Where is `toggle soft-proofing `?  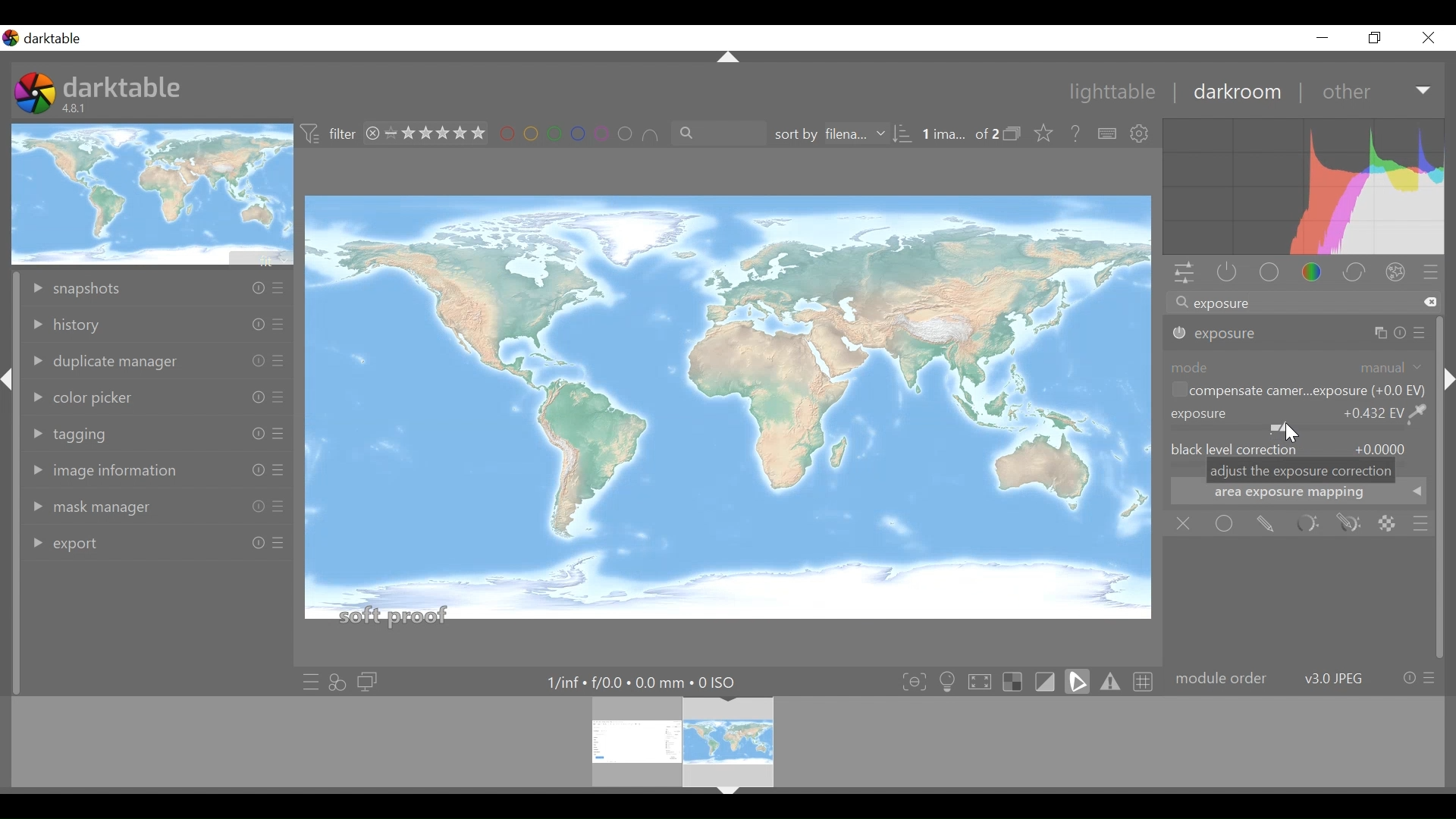
toggle soft-proofing  is located at coordinates (1078, 681).